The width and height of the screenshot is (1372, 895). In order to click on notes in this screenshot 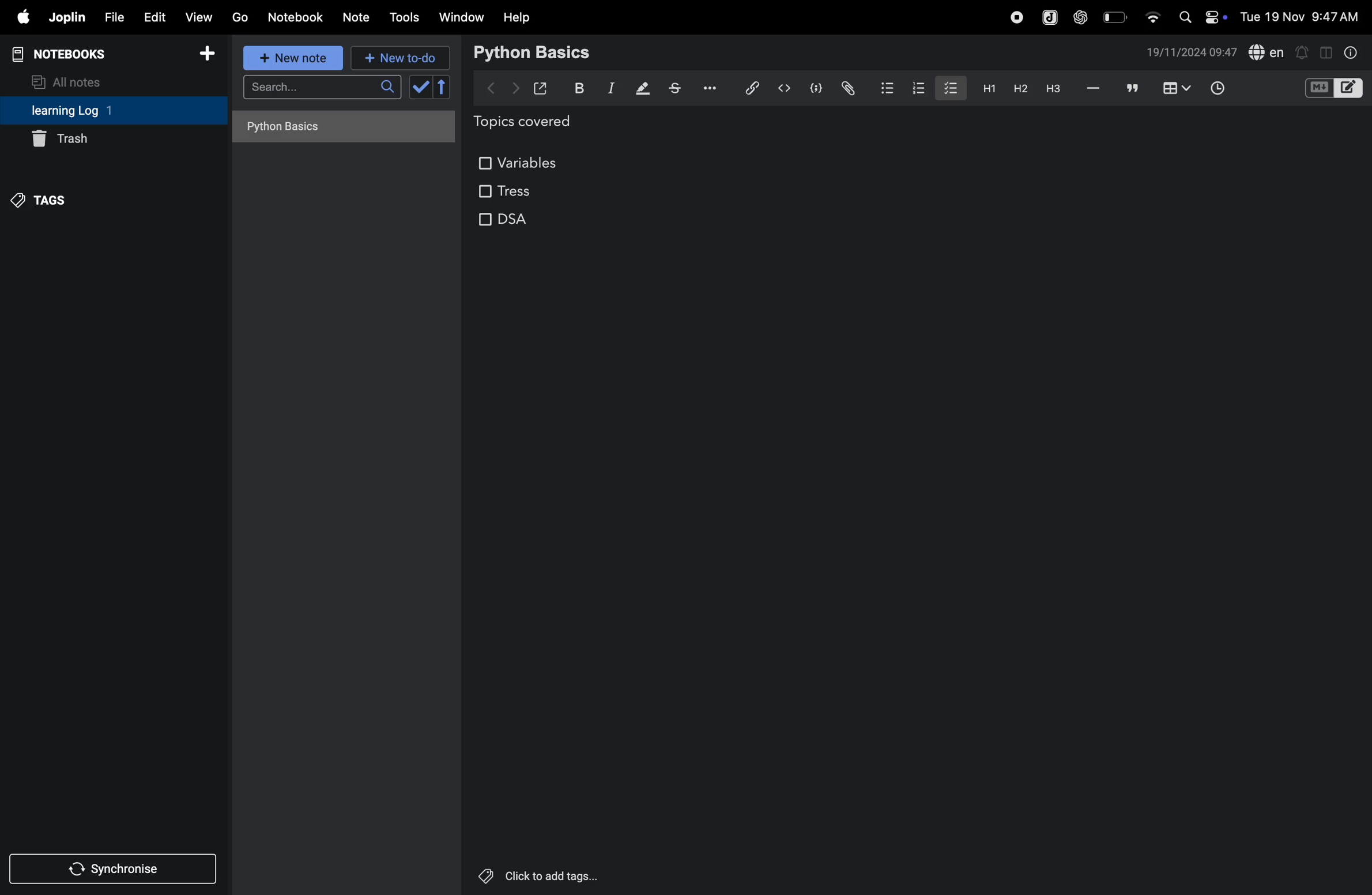, I will do `click(357, 18)`.